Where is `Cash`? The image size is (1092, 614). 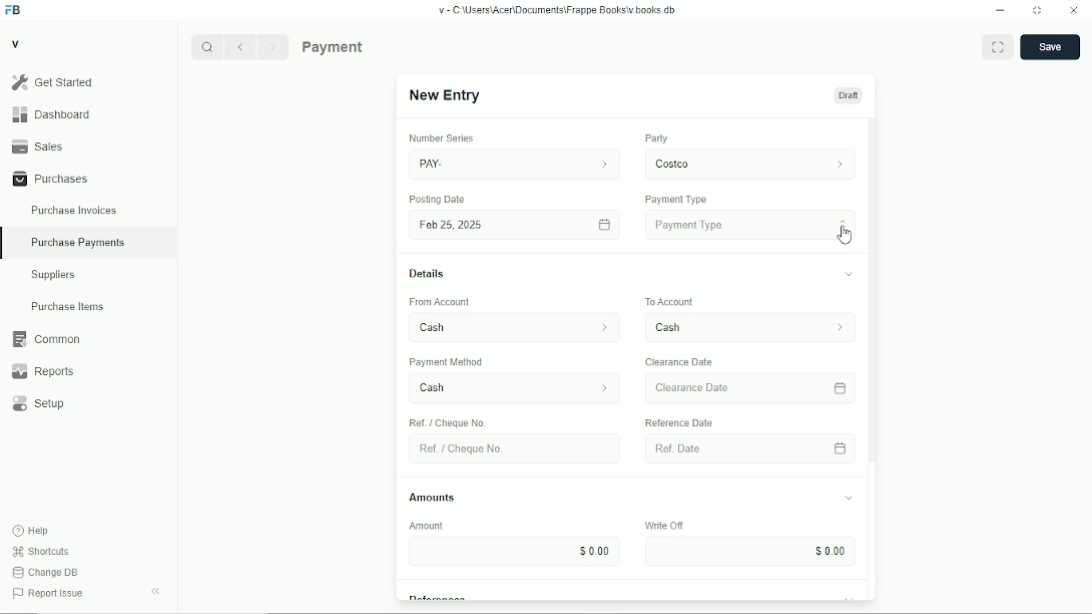
Cash is located at coordinates (505, 389).